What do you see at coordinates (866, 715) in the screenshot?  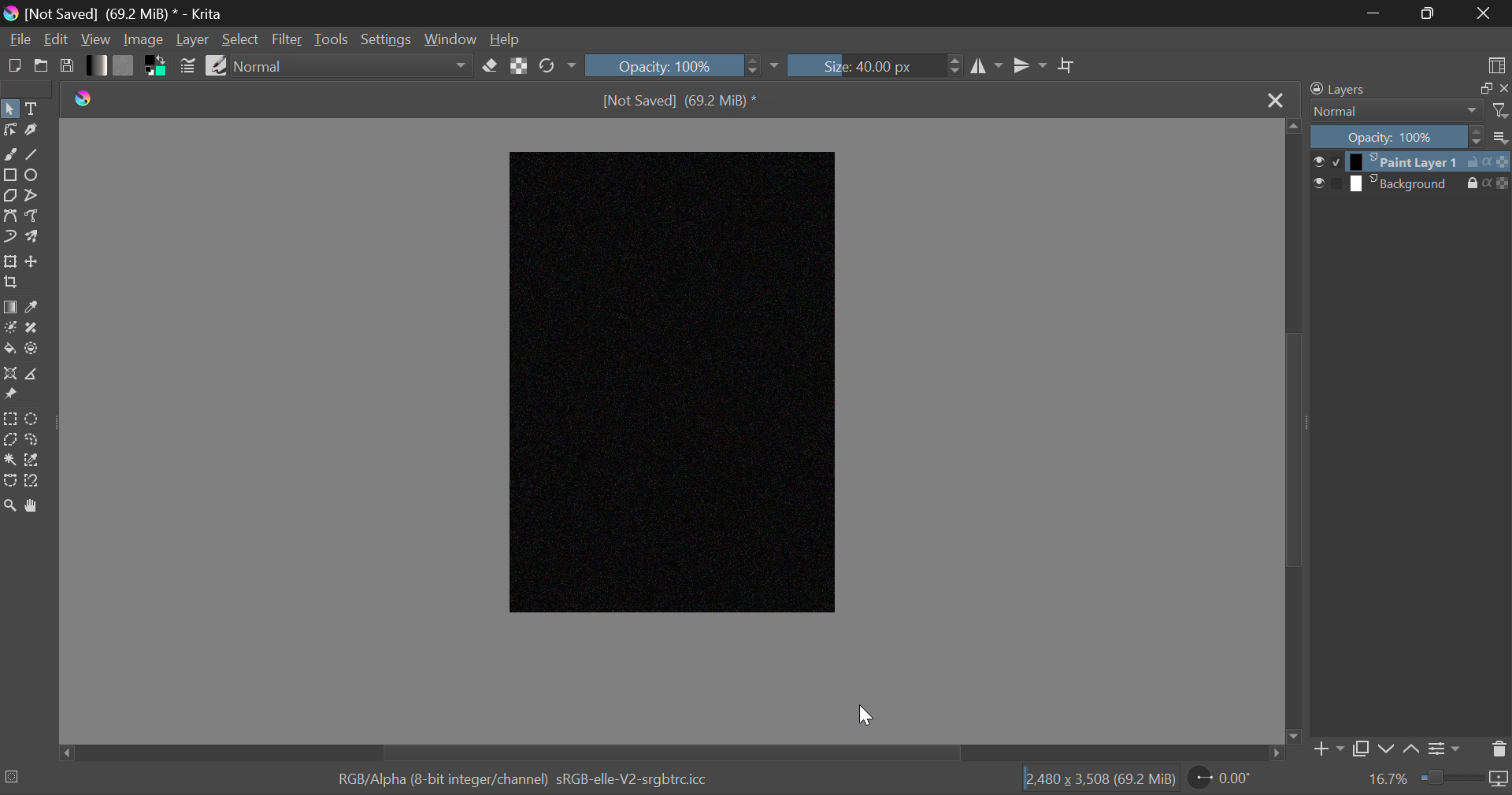 I see `Cursor Position AFTER_LAST_ACTION` at bounding box center [866, 715].